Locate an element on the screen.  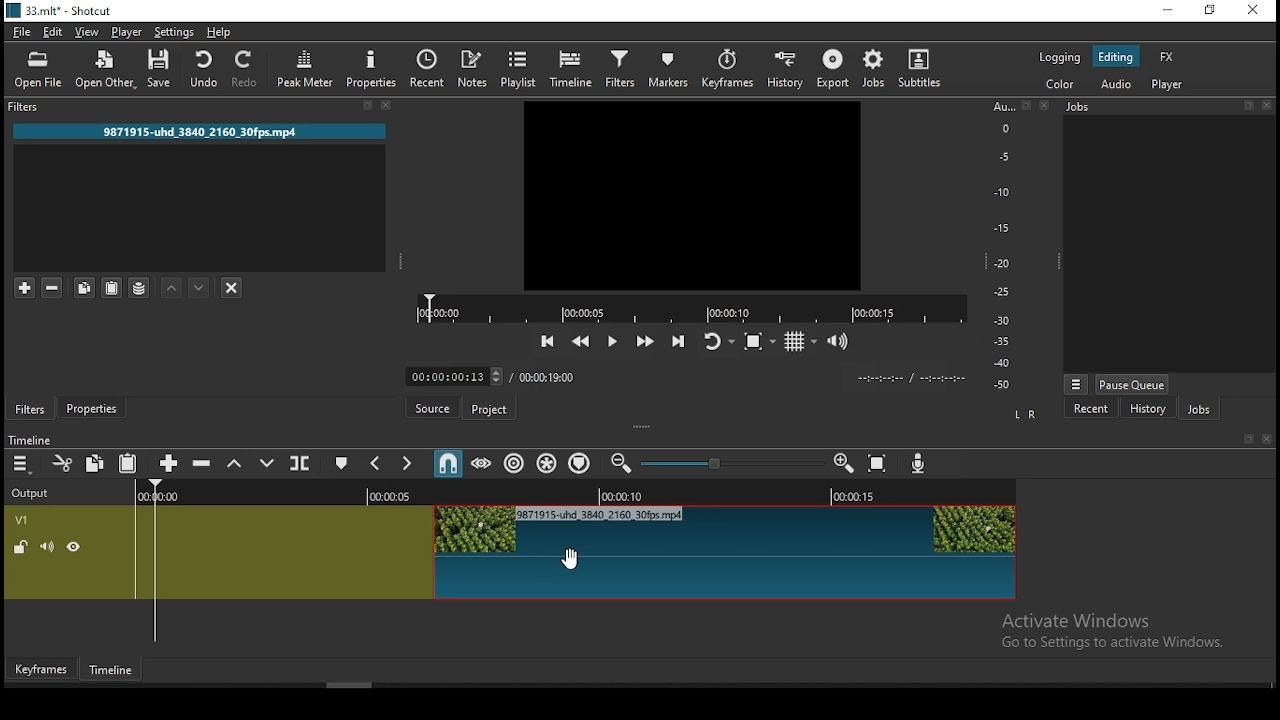
close is located at coordinates (1267, 105).